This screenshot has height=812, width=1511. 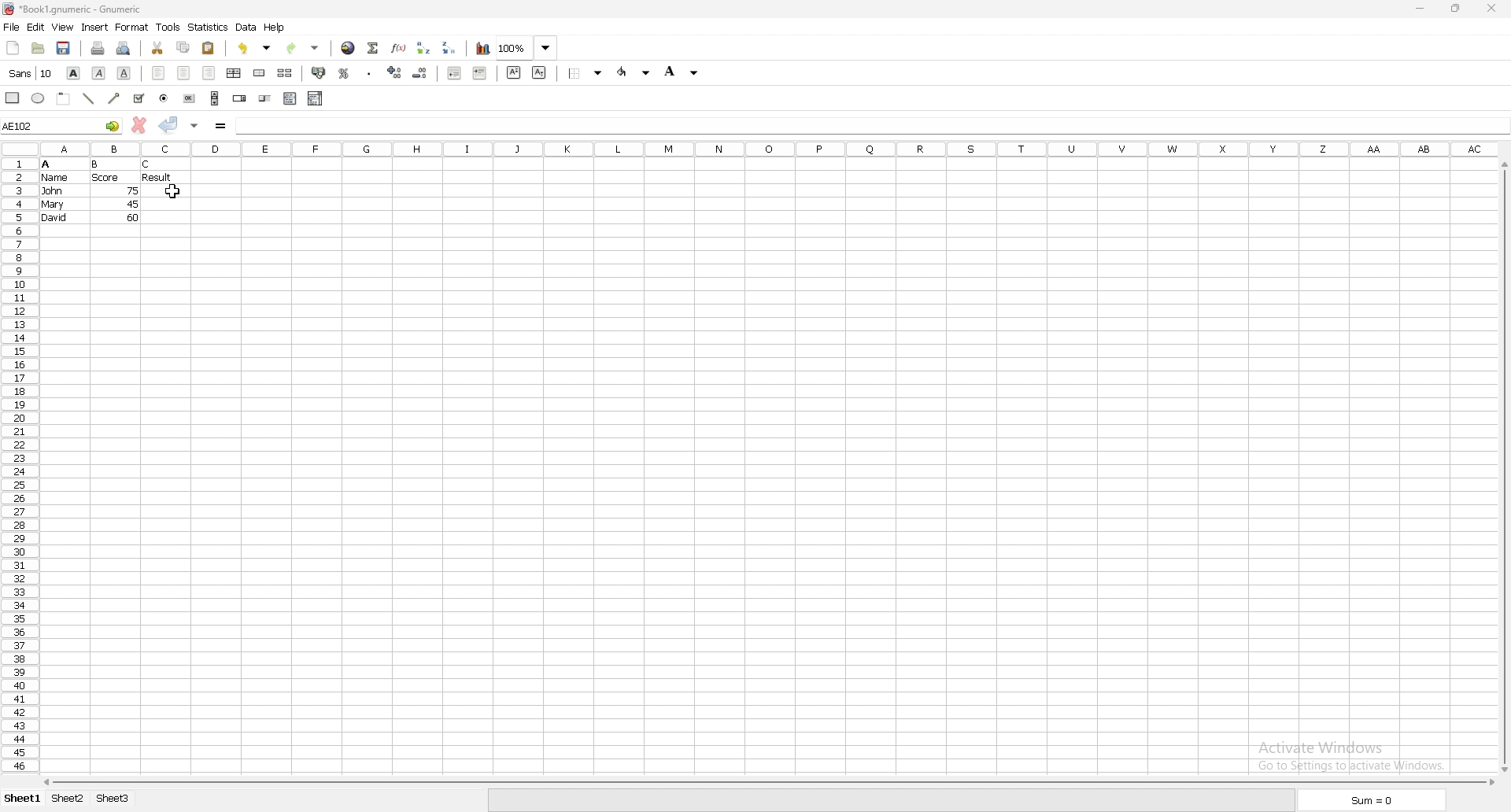 I want to click on list, so click(x=290, y=98).